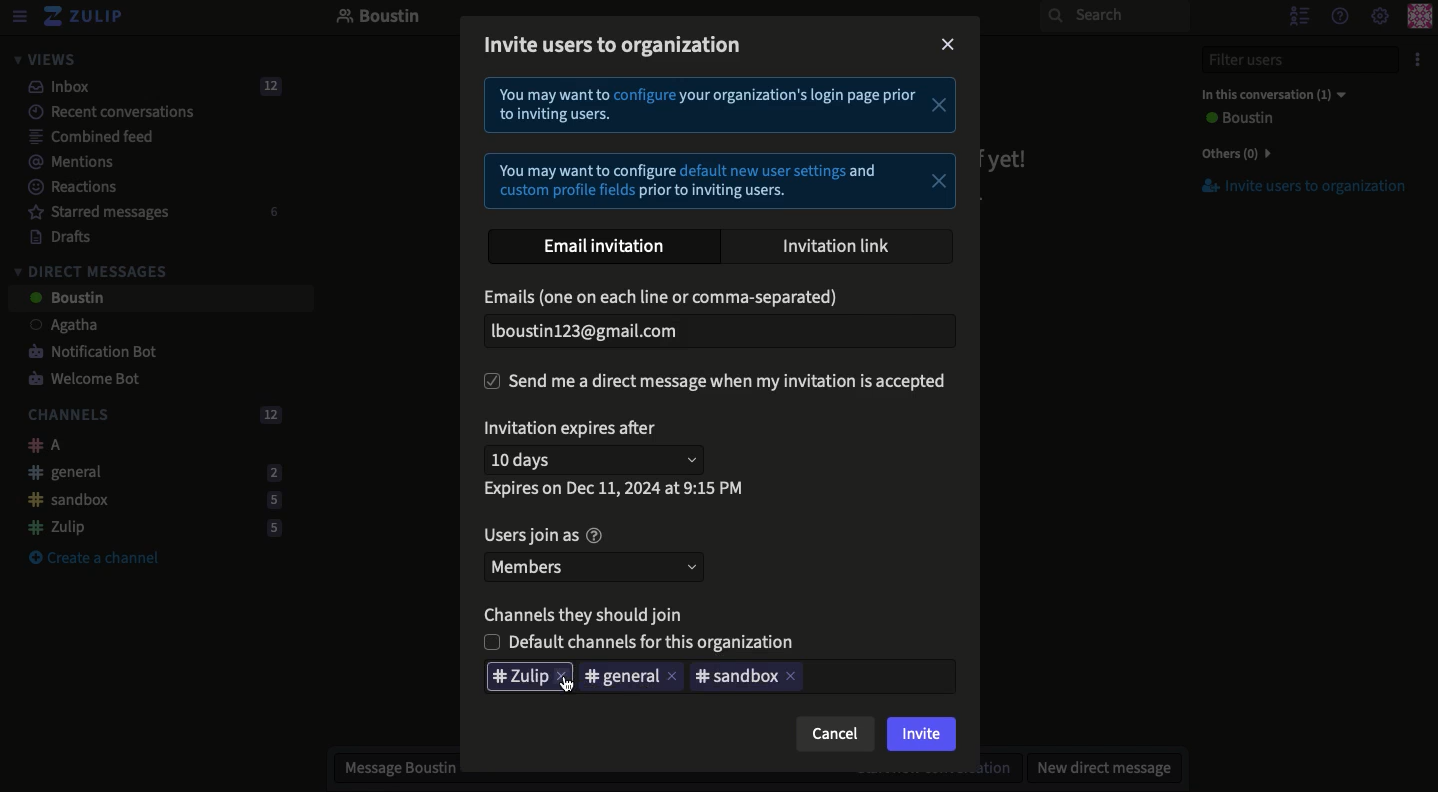 The width and height of the screenshot is (1438, 792). Describe the element at coordinates (948, 45) in the screenshot. I see `` at that location.